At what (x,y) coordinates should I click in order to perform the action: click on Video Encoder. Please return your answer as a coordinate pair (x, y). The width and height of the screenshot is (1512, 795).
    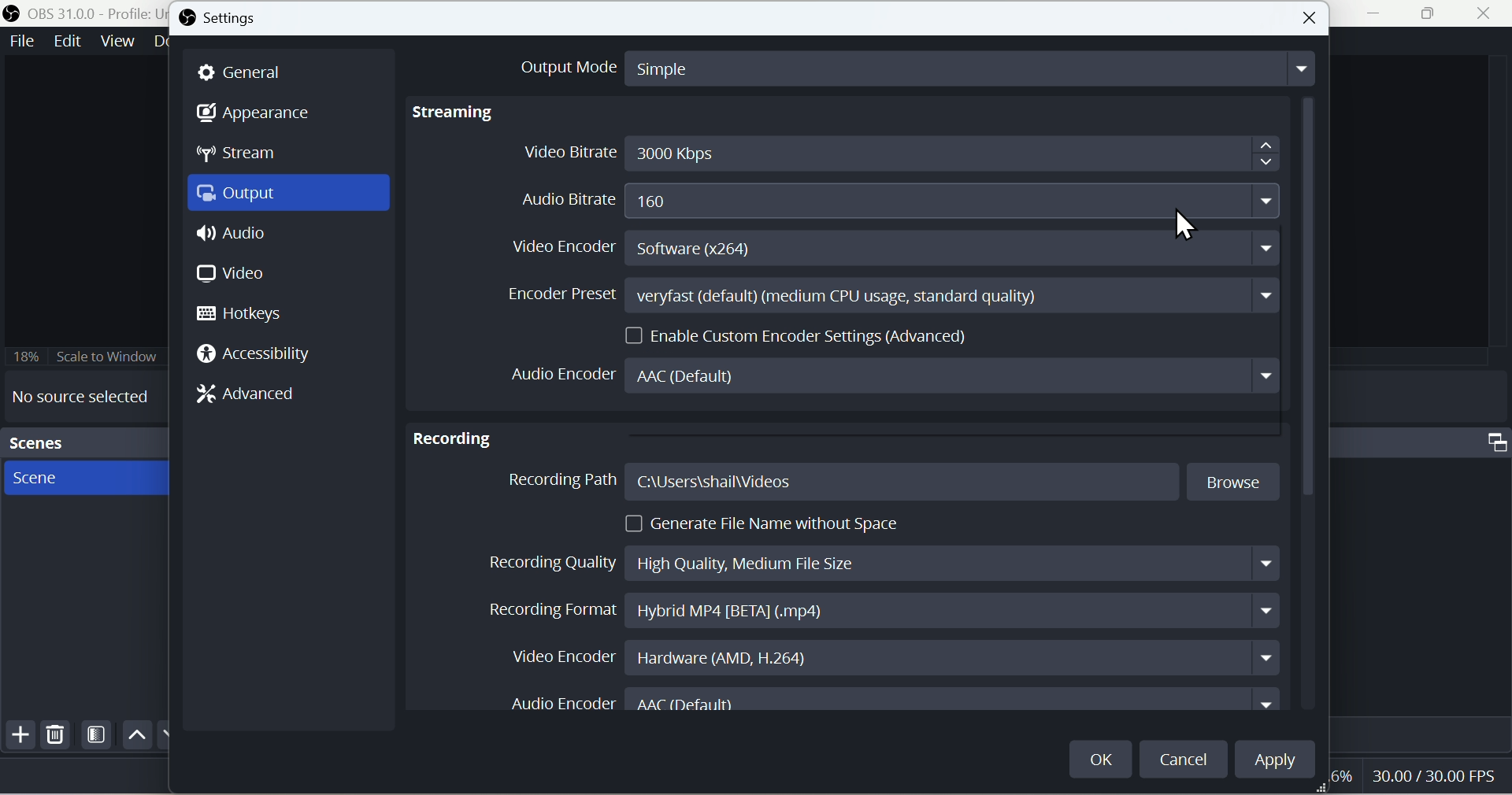
    Looking at the image, I should click on (886, 656).